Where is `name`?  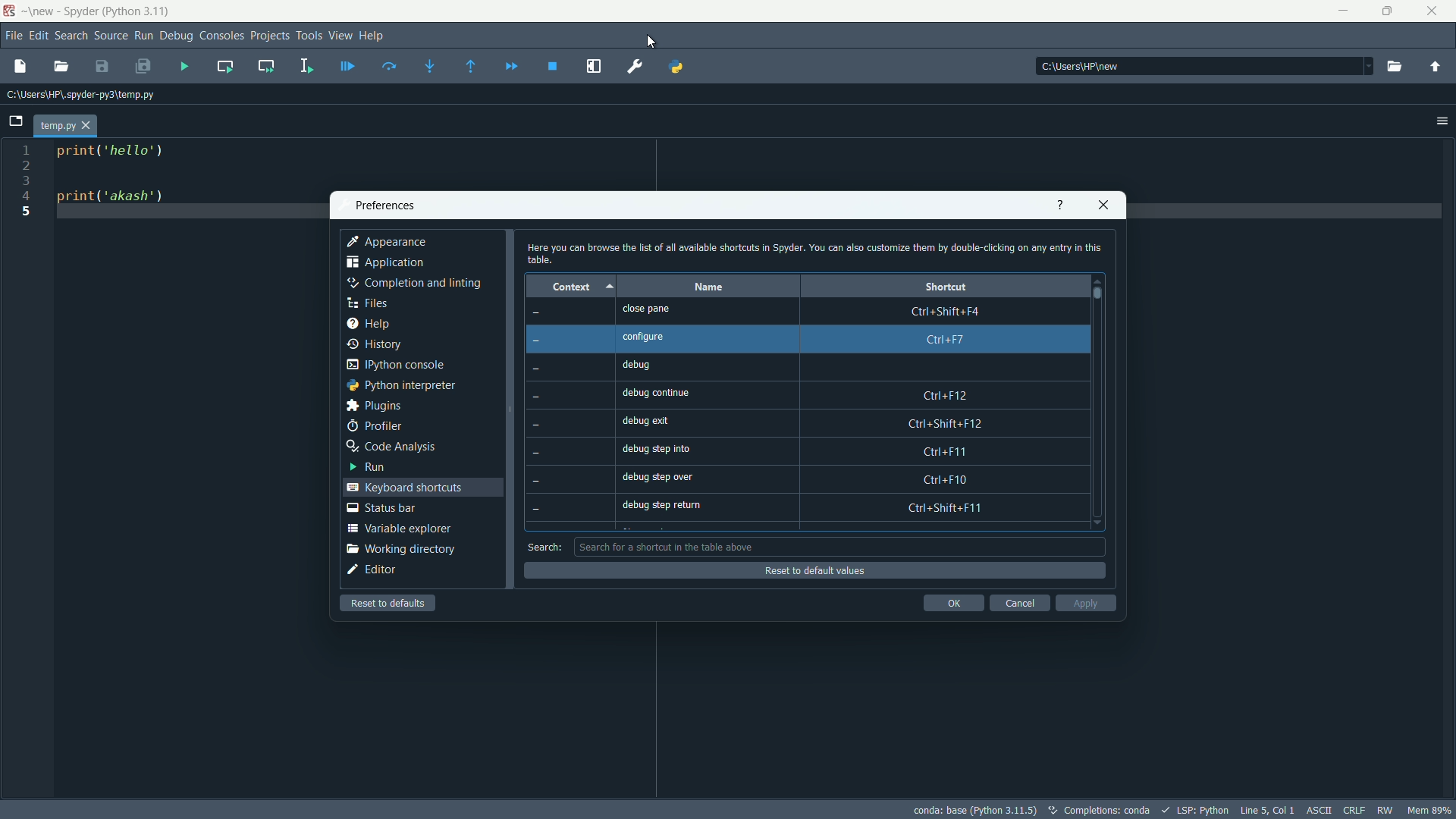 name is located at coordinates (707, 287).